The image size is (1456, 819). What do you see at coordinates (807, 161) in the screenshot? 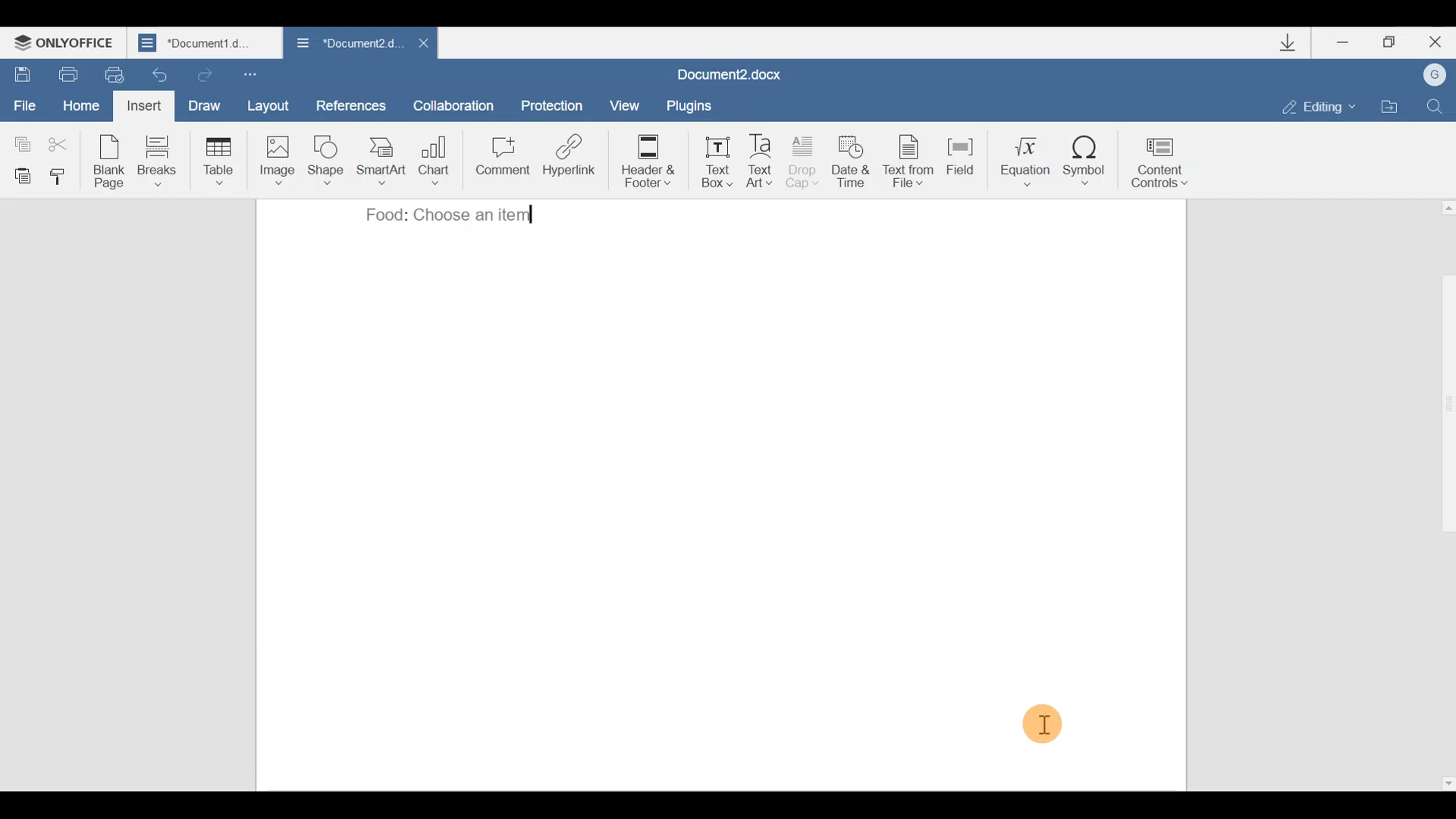
I see `Drop cap` at bounding box center [807, 161].